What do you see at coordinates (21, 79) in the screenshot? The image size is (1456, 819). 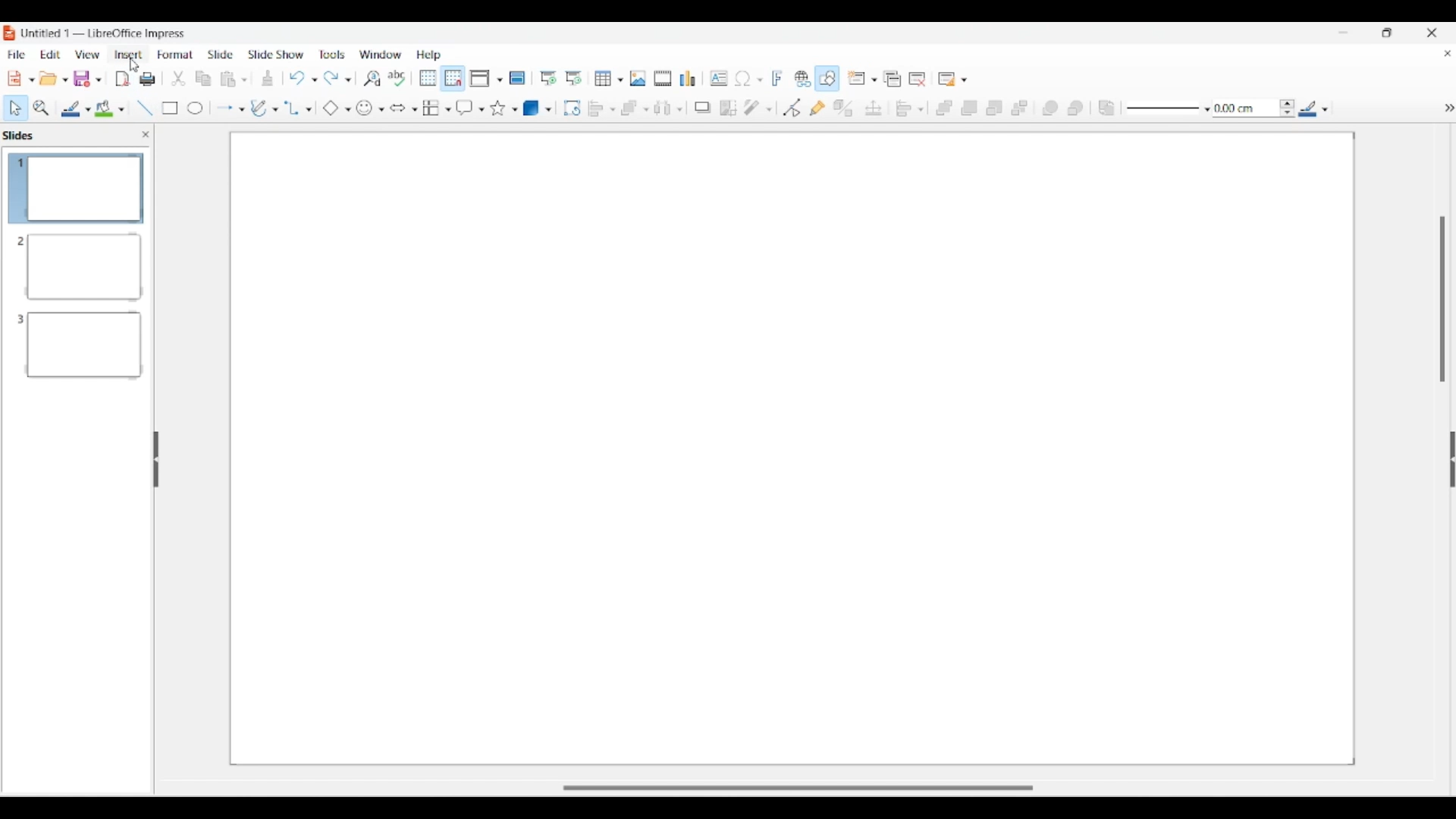 I see `New document options` at bounding box center [21, 79].